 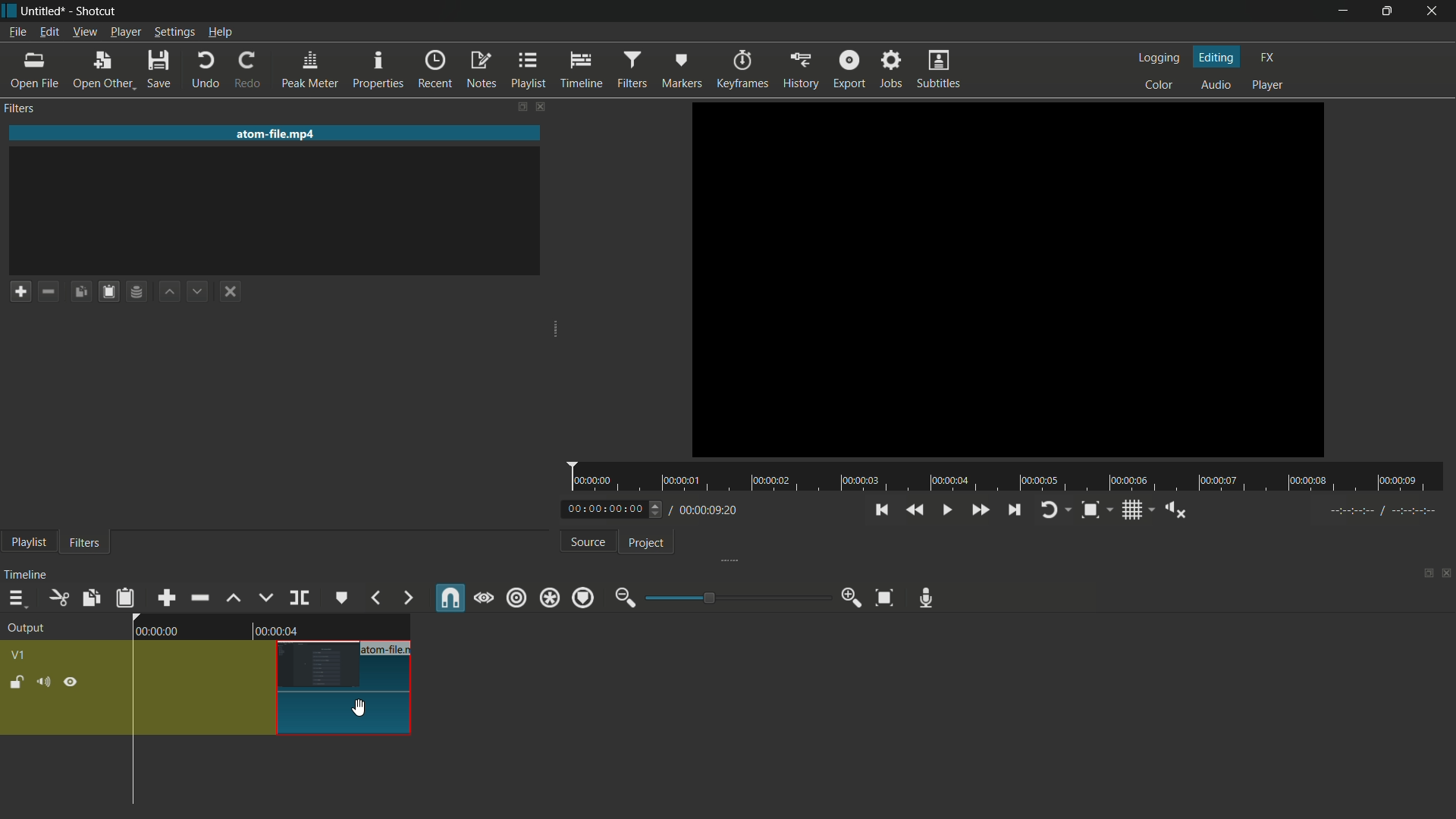 I want to click on subtitles, so click(x=938, y=69).